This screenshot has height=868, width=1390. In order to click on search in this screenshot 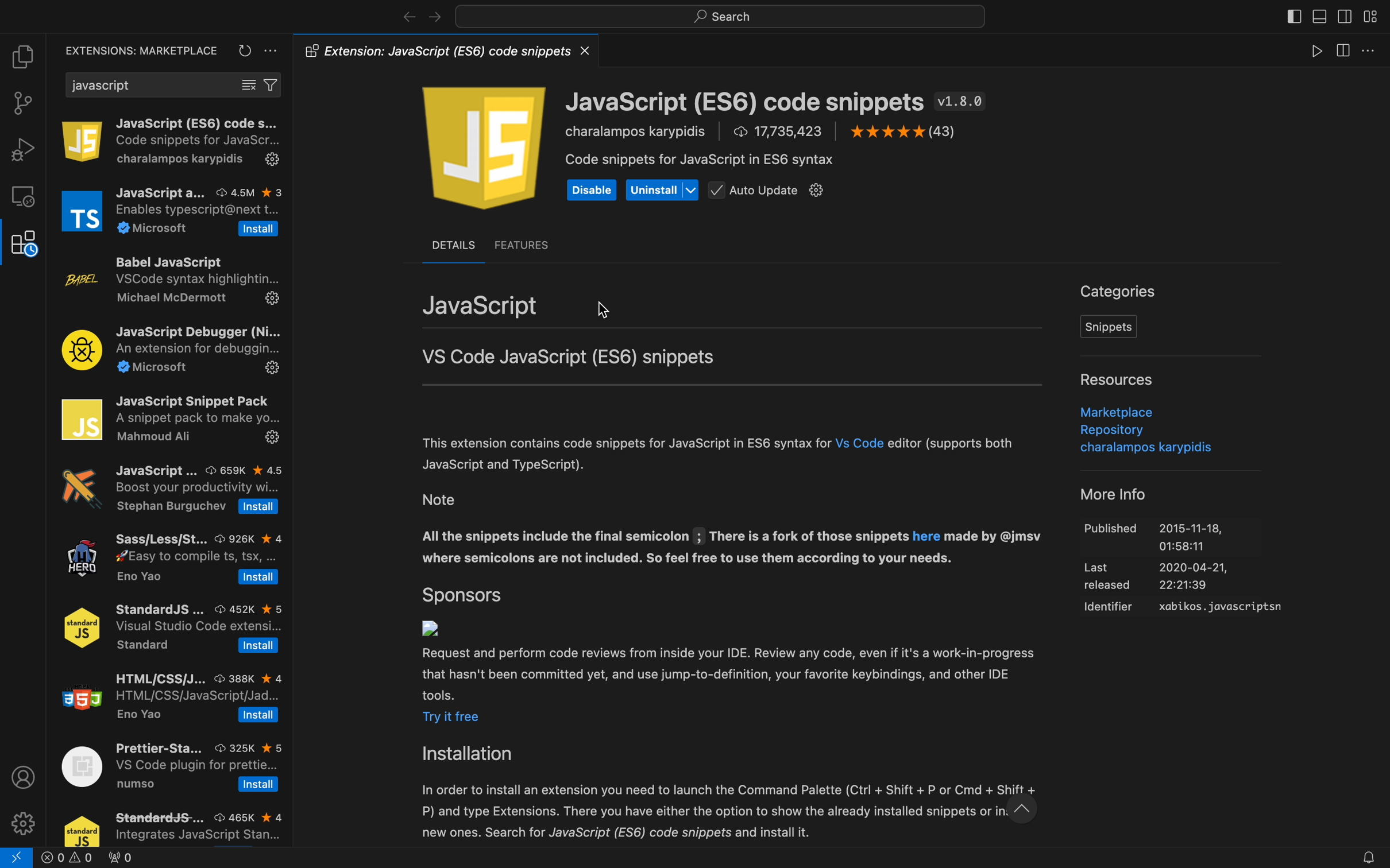, I will do `click(711, 18)`.